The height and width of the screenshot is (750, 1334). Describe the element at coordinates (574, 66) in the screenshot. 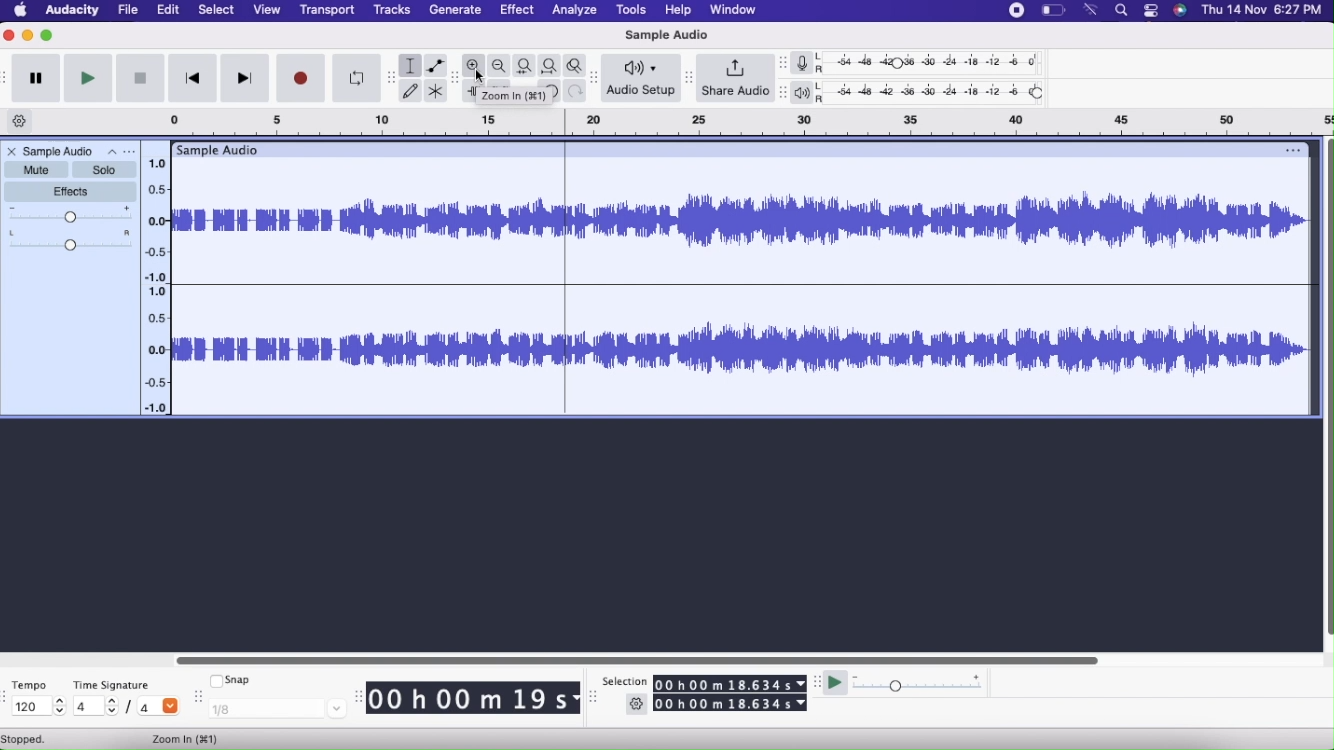

I see `Zoom Toggle` at that location.